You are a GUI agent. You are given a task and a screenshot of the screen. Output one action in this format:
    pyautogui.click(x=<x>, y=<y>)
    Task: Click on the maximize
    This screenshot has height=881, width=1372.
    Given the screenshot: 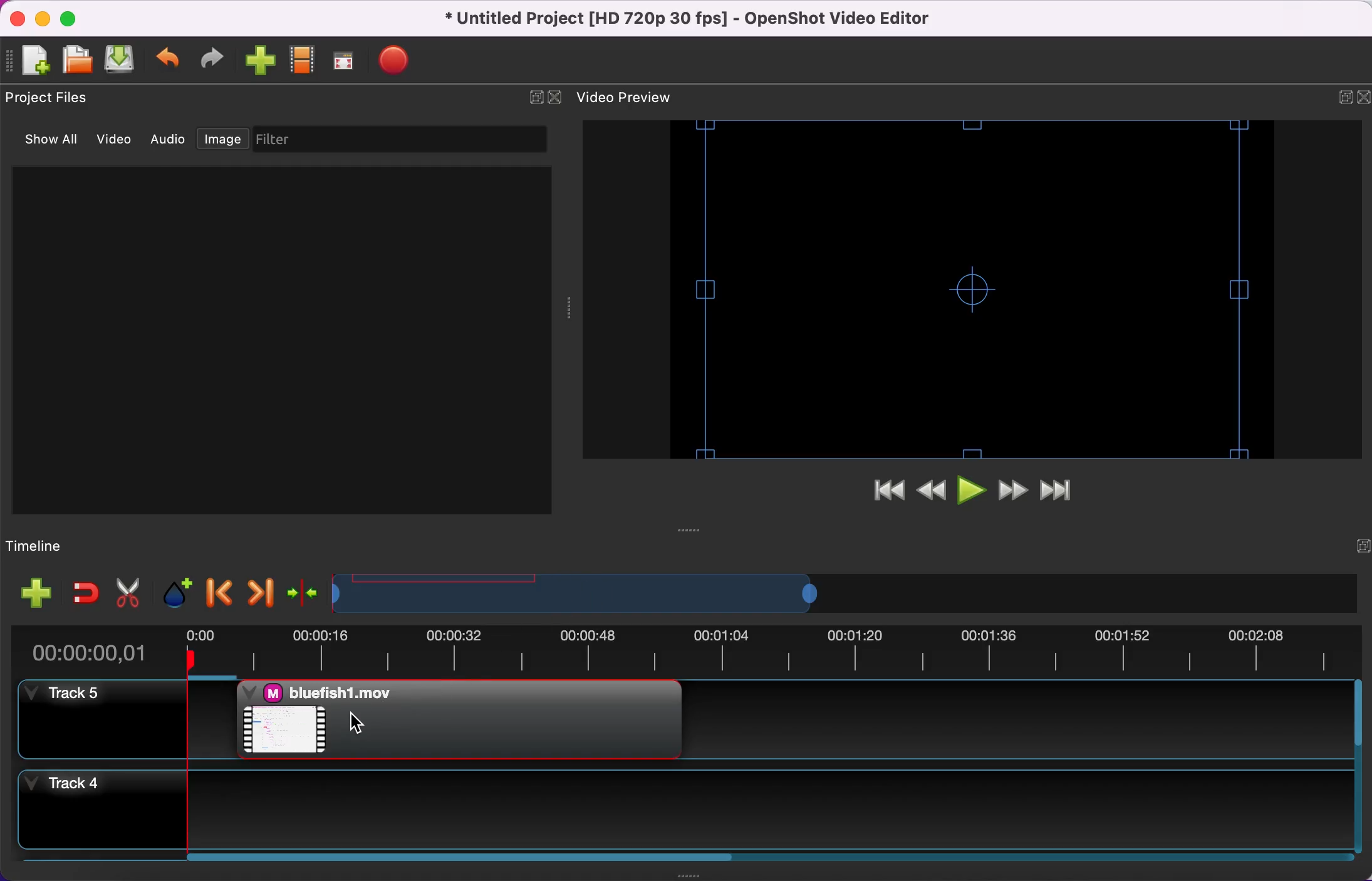 What is the action you would take?
    pyautogui.click(x=75, y=18)
    